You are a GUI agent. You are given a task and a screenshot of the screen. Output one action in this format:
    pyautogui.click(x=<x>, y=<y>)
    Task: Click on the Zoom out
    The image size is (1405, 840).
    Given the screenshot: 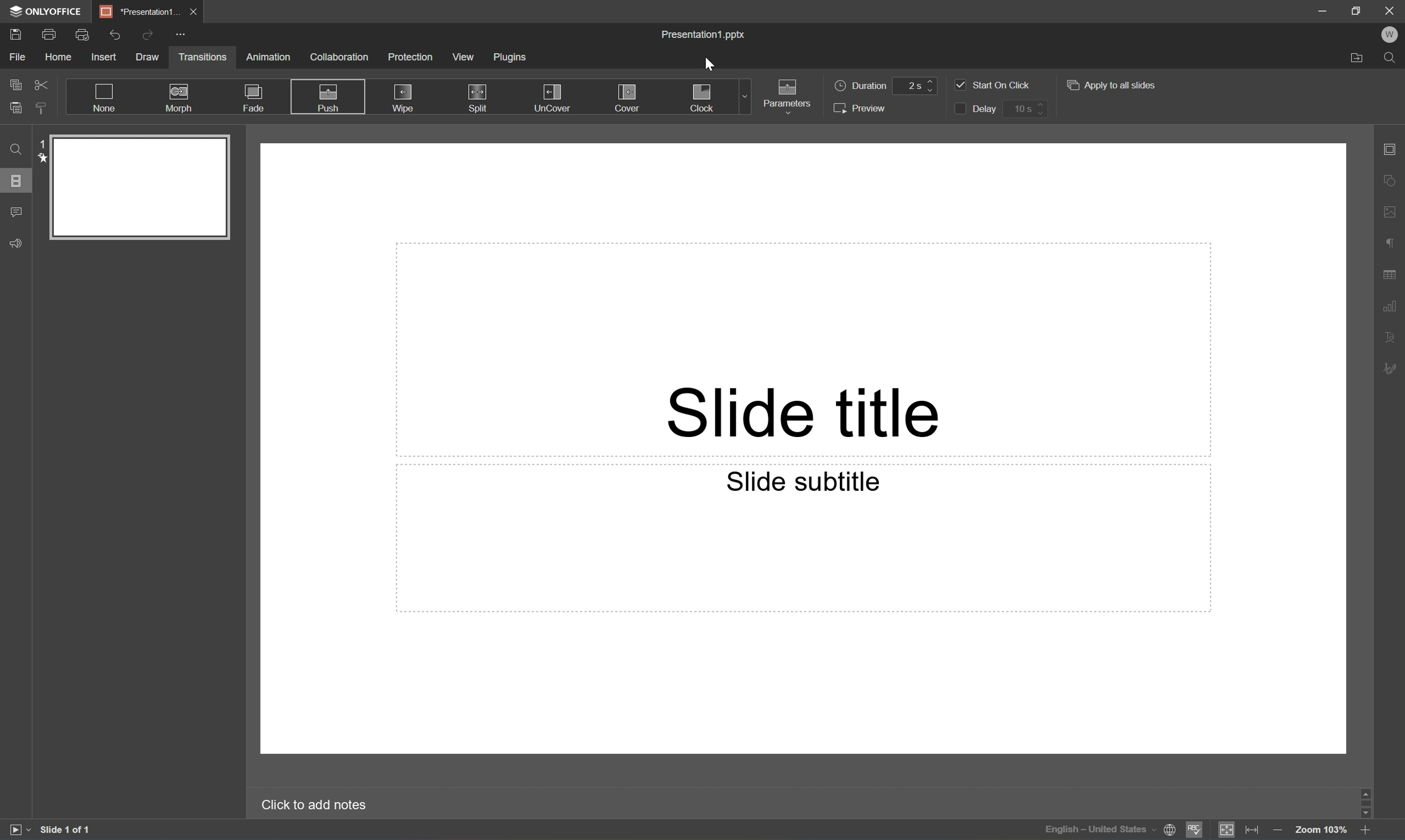 What is the action you would take?
    pyautogui.click(x=1278, y=832)
    